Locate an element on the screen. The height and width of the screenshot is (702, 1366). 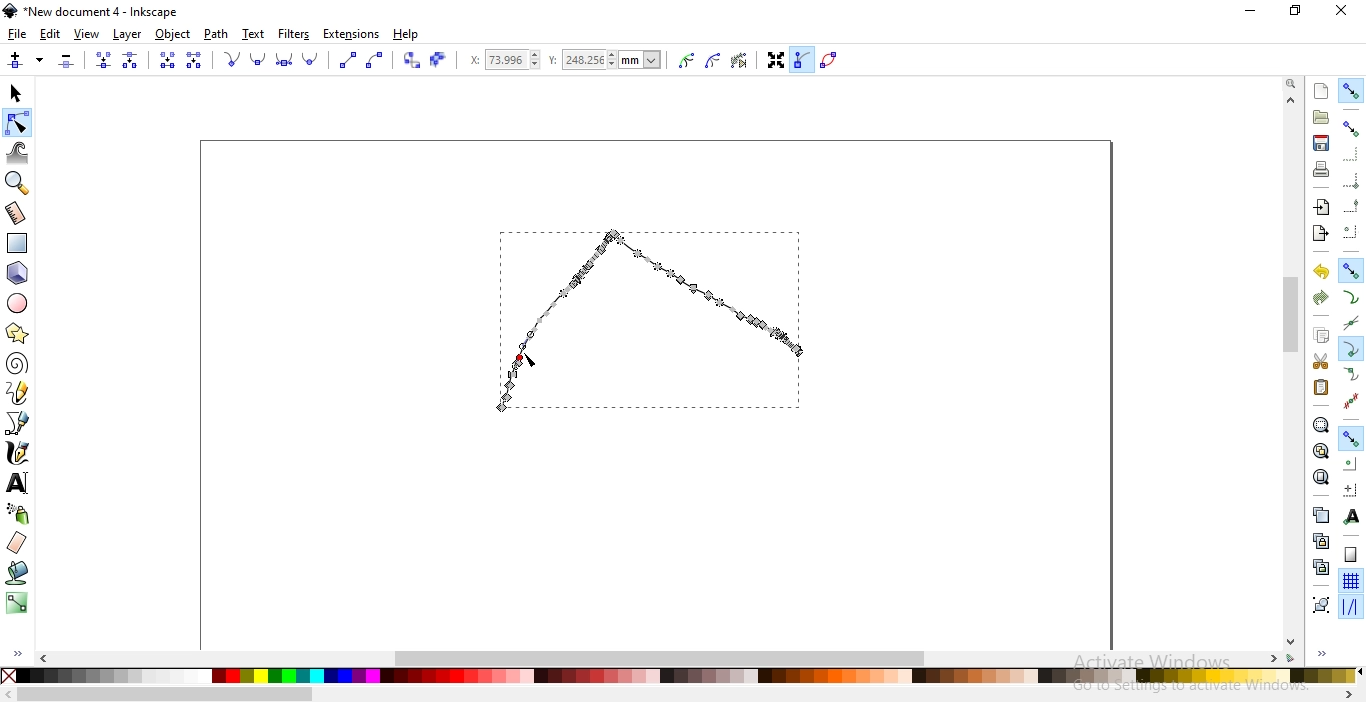
zoom in or out is located at coordinates (15, 183).